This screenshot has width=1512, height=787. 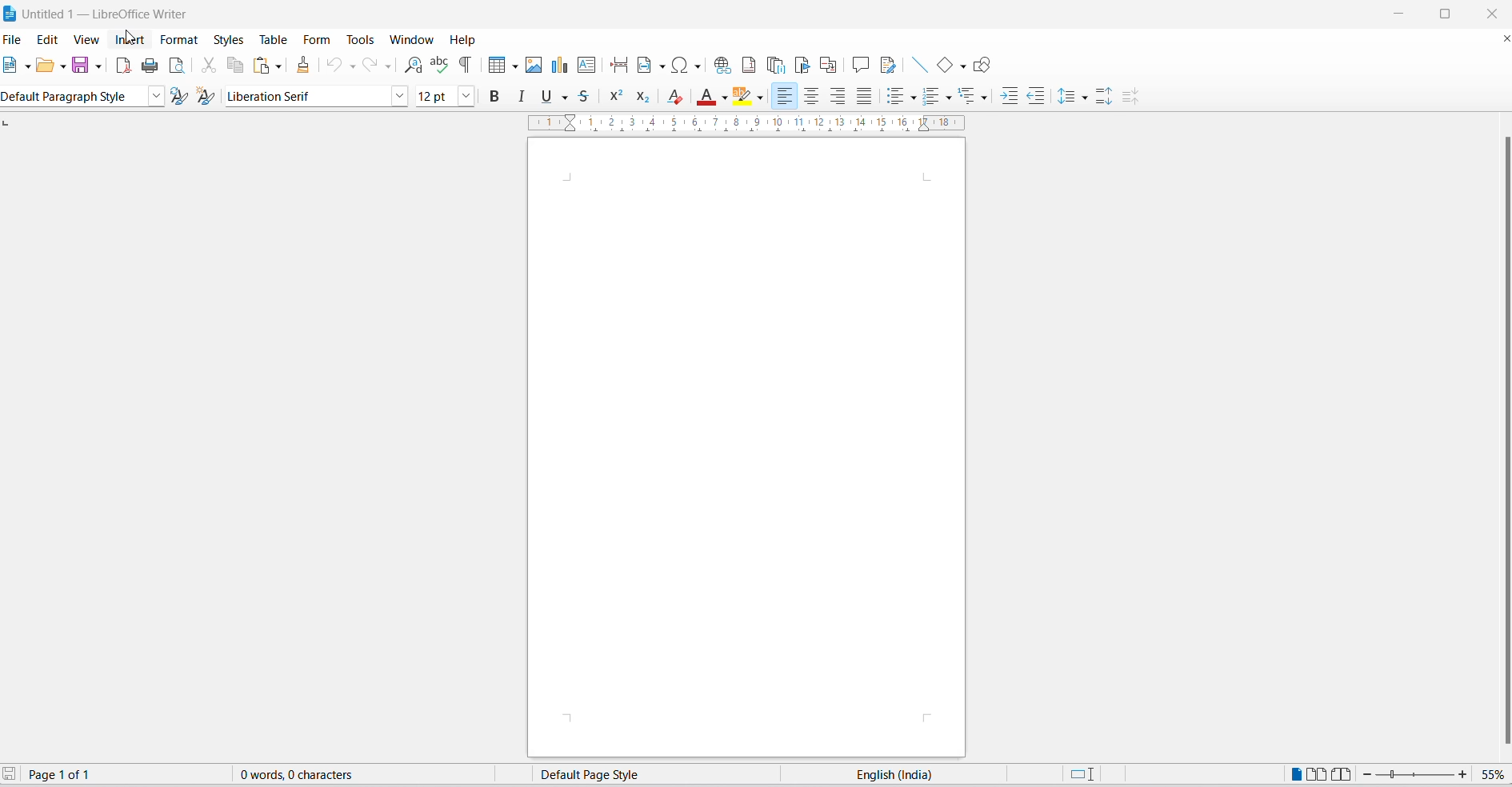 What do you see at coordinates (1068, 97) in the screenshot?
I see `line spacing` at bounding box center [1068, 97].